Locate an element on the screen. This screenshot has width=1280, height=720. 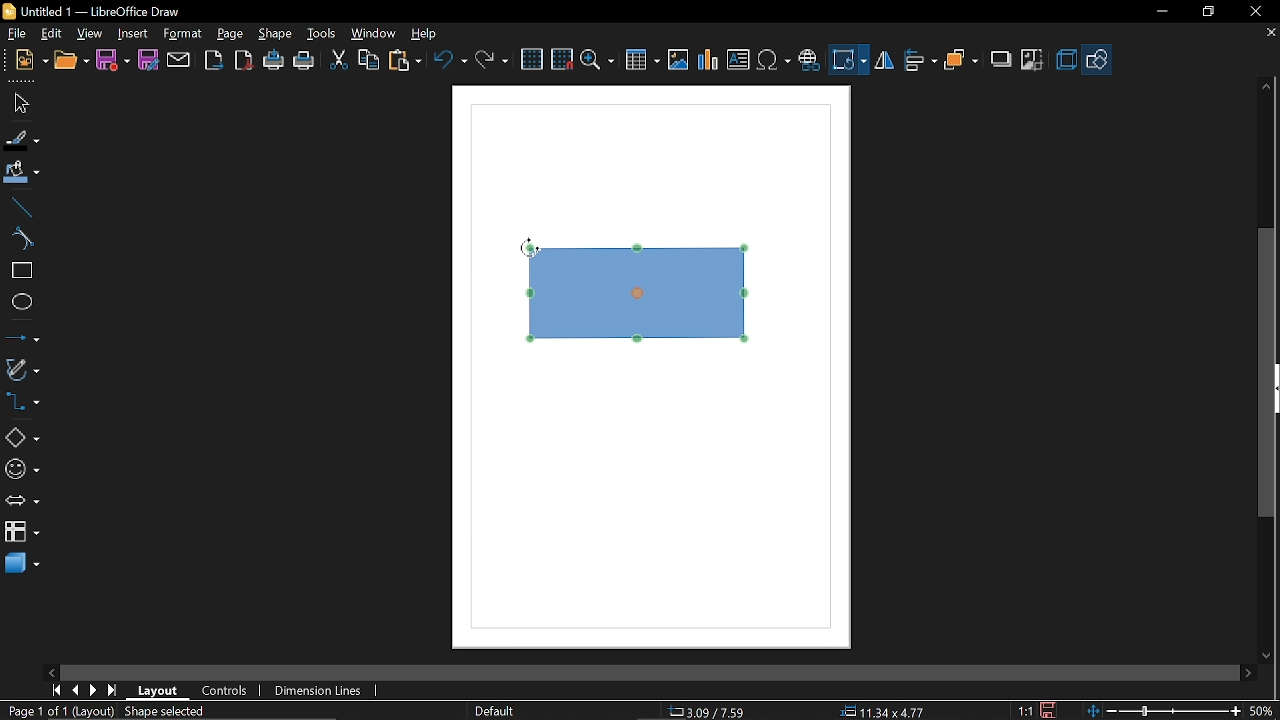
View is located at coordinates (91, 33).